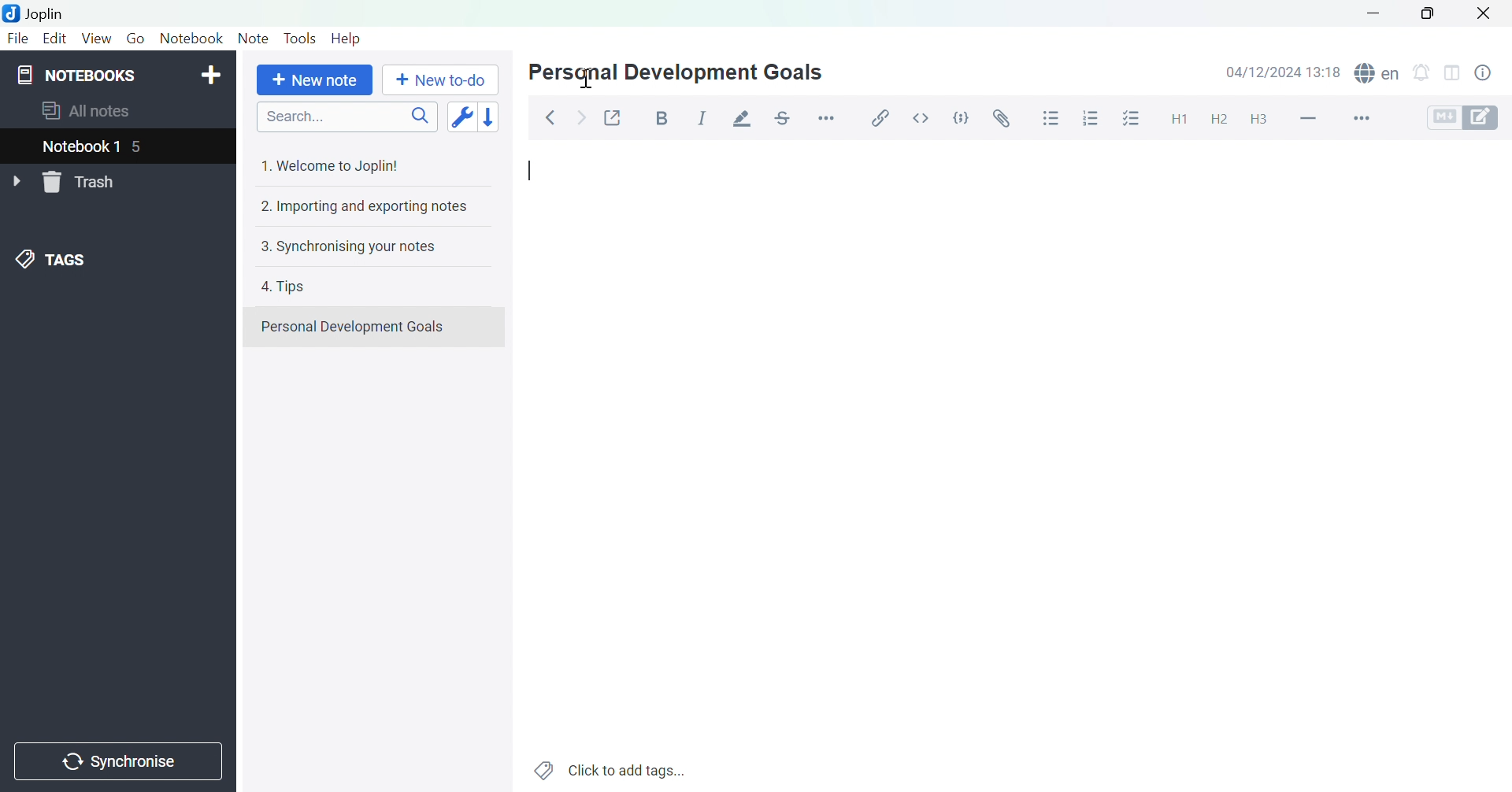 Image resolution: width=1512 pixels, height=792 pixels. What do you see at coordinates (144, 146) in the screenshot?
I see `5` at bounding box center [144, 146].